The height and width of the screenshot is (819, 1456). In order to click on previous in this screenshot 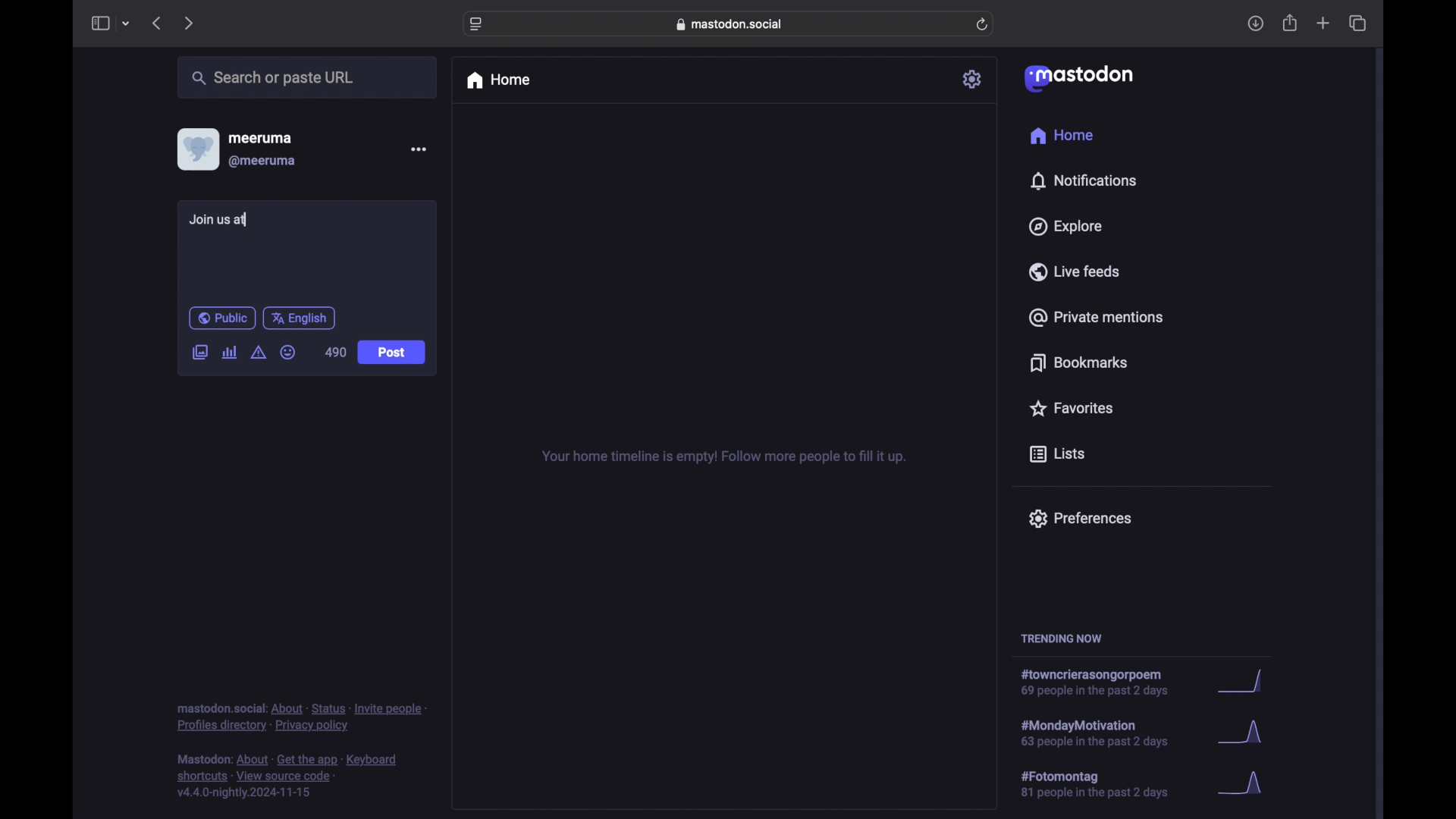, I will do `click(156, 23)`.